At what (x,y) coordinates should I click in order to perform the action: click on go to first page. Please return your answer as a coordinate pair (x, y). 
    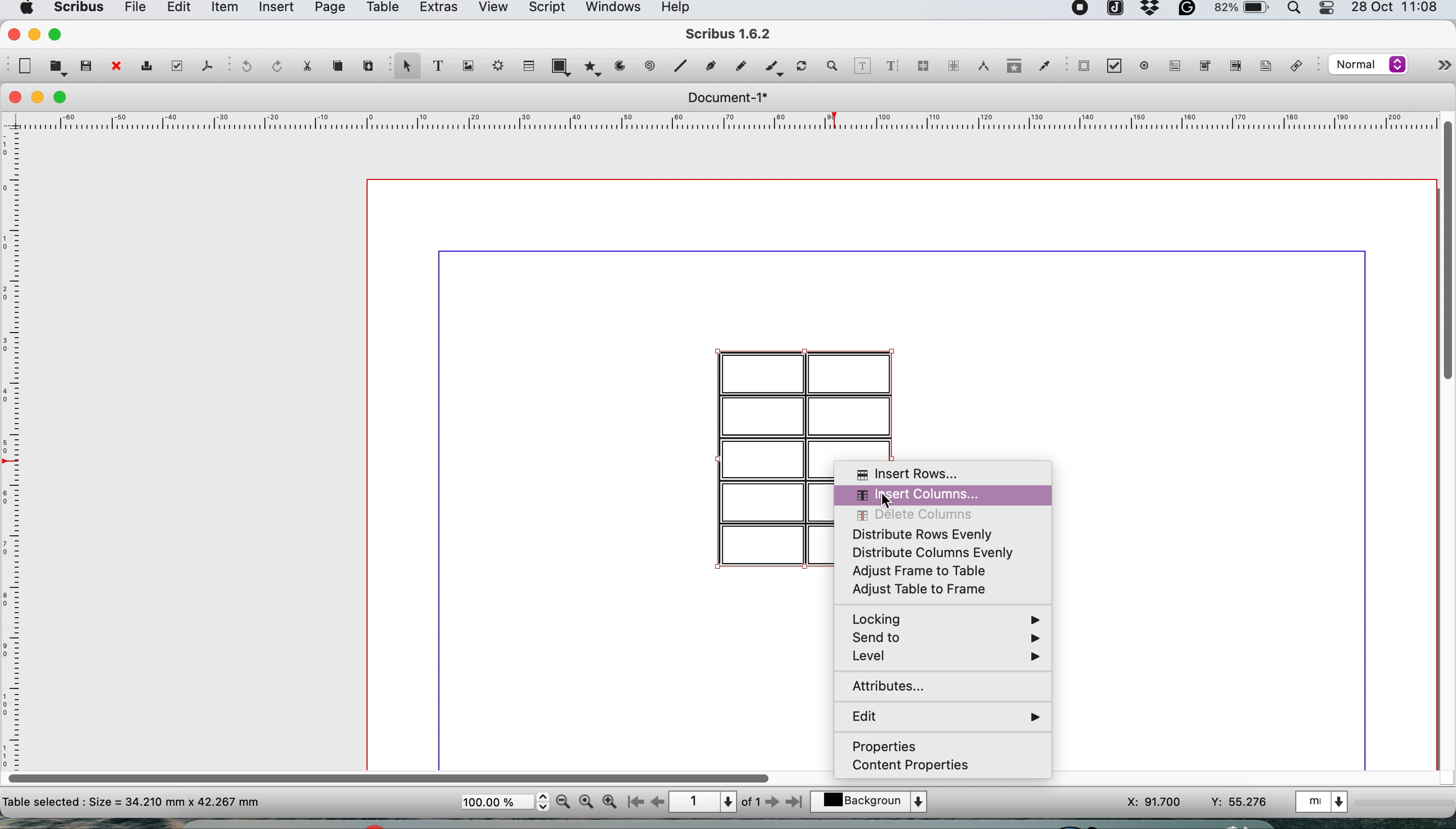
    Looking at the image, I should click on (634, 803).